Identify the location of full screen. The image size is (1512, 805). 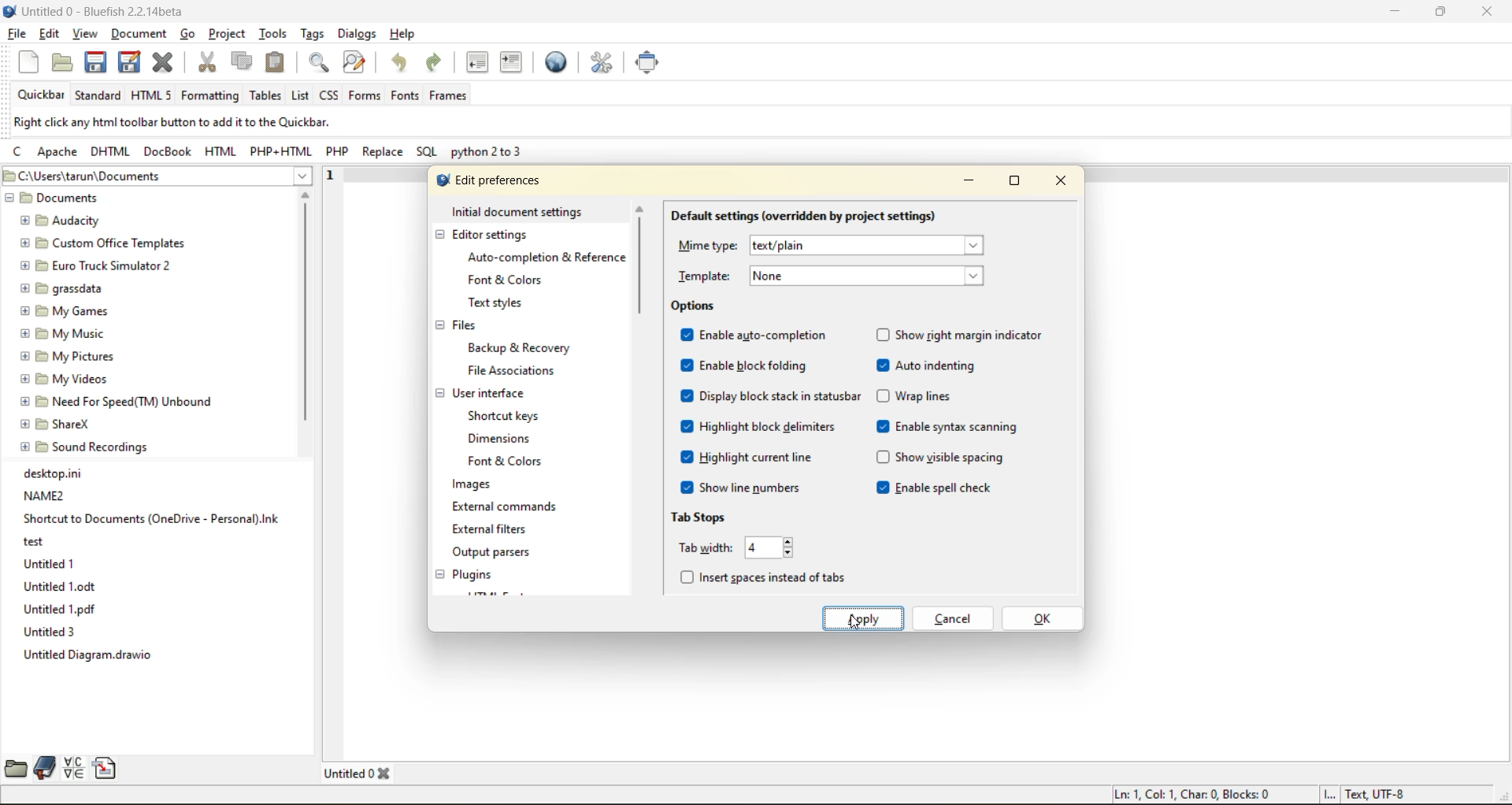
(648, 64).